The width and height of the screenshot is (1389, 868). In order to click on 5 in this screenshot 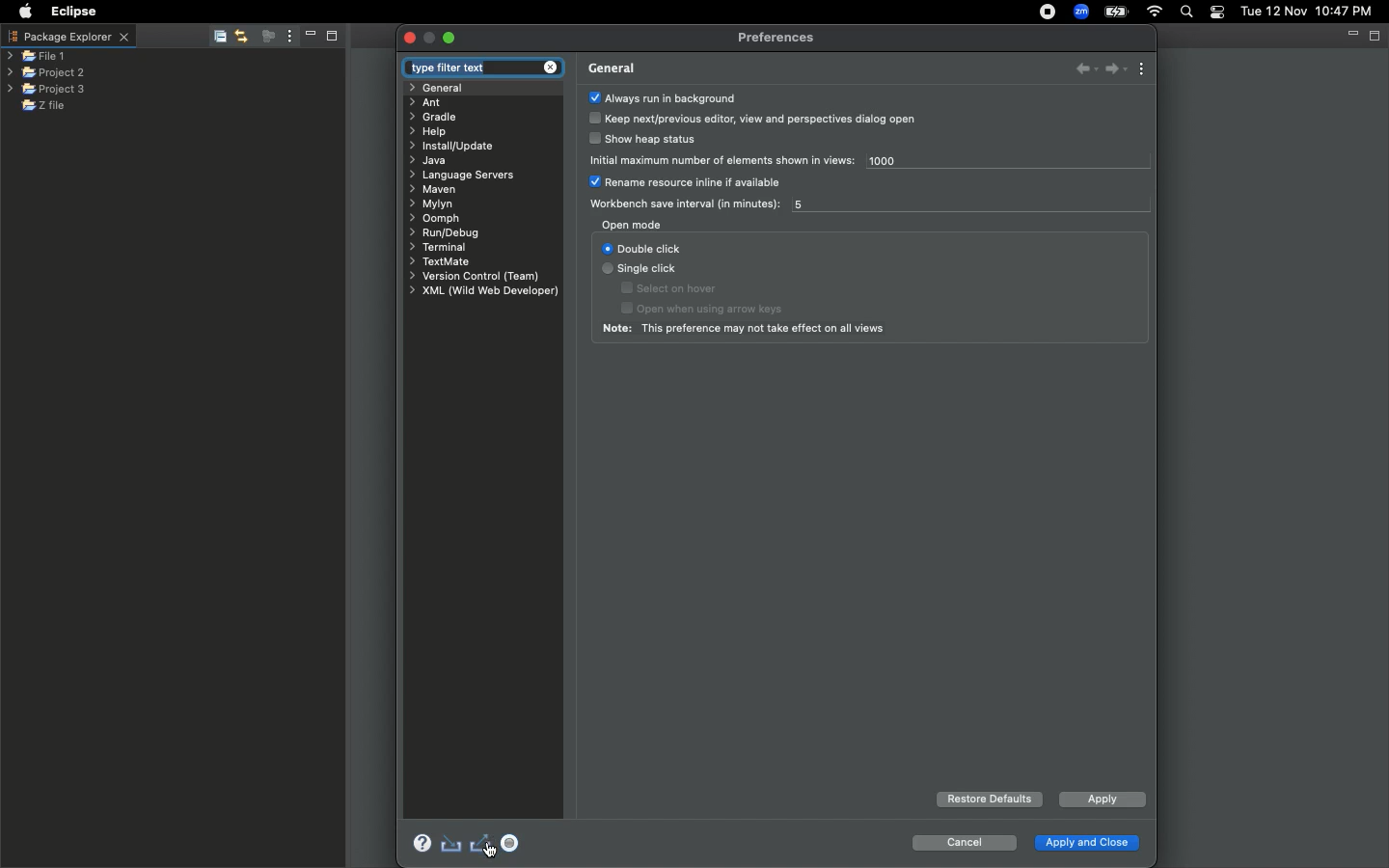, I will do `click(806, 205)`.